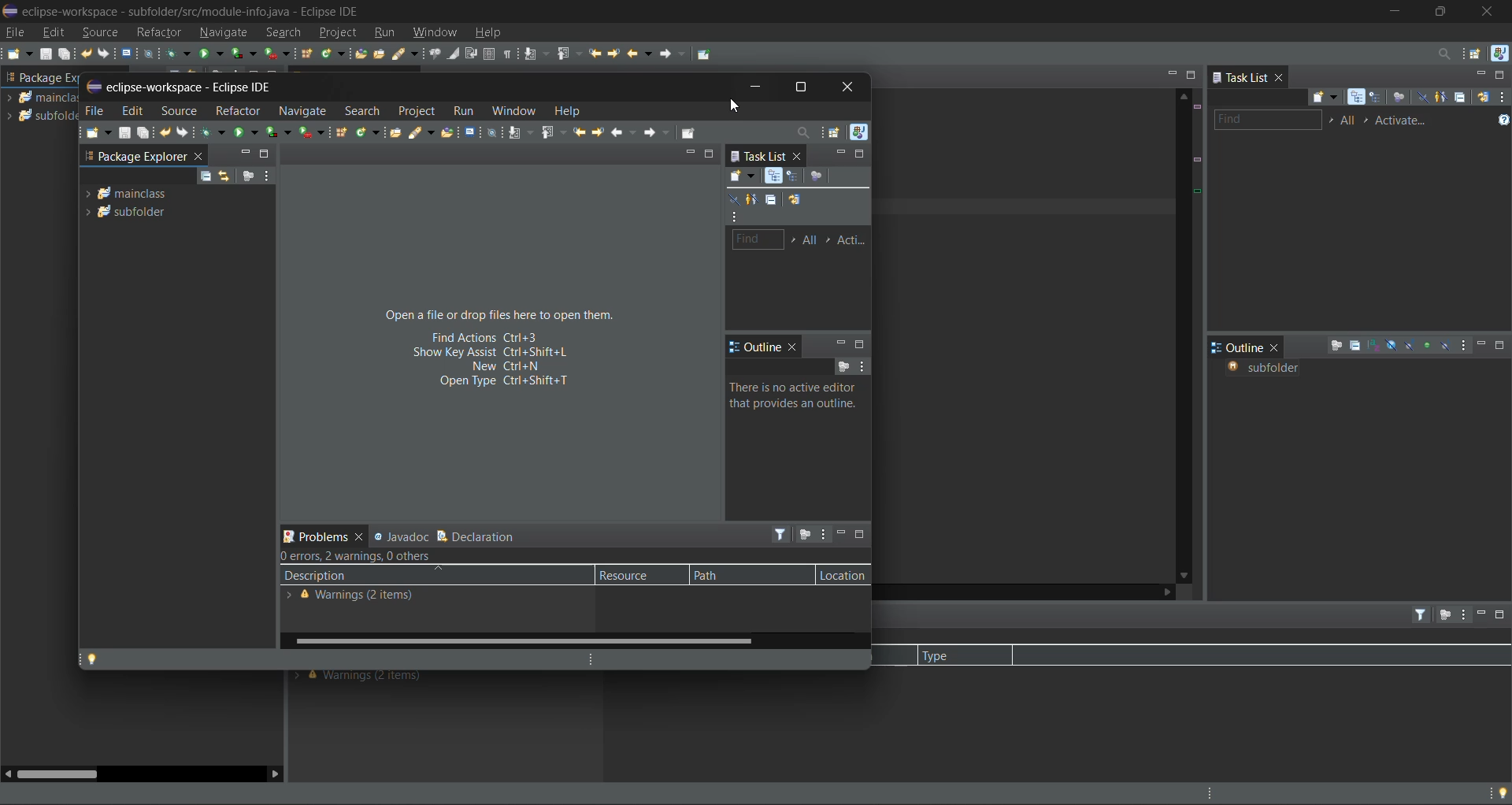  I want to click on java, so click(860, 133).